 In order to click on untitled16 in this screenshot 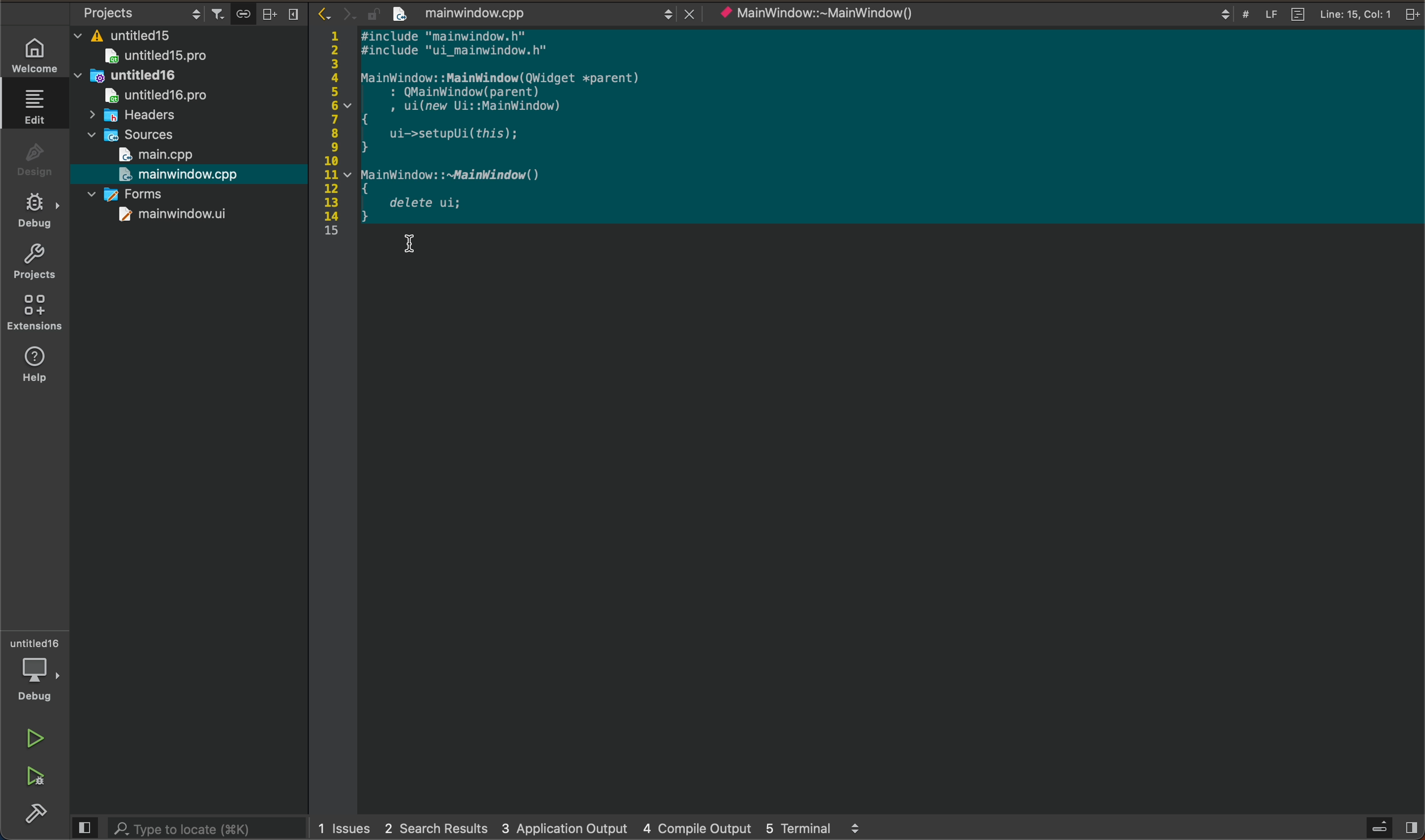, I will do `click(151, 77)`.